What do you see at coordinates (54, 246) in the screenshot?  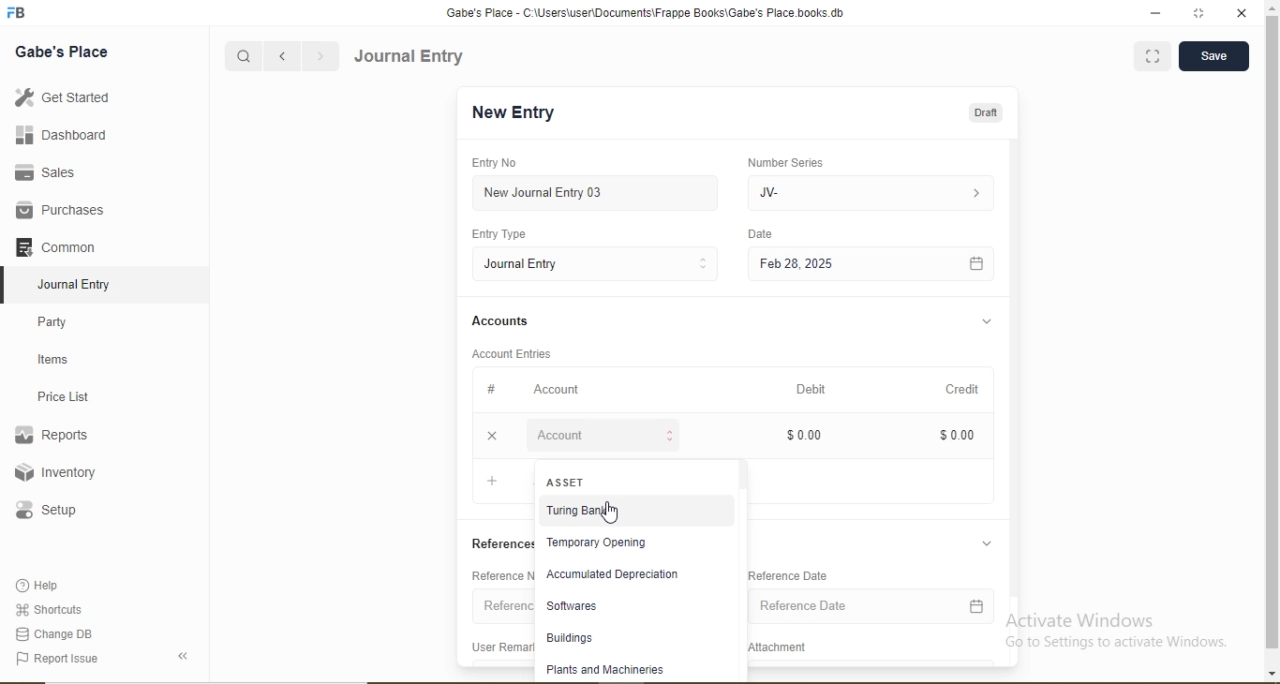 I see `Common` at bounding box center [54, 246].